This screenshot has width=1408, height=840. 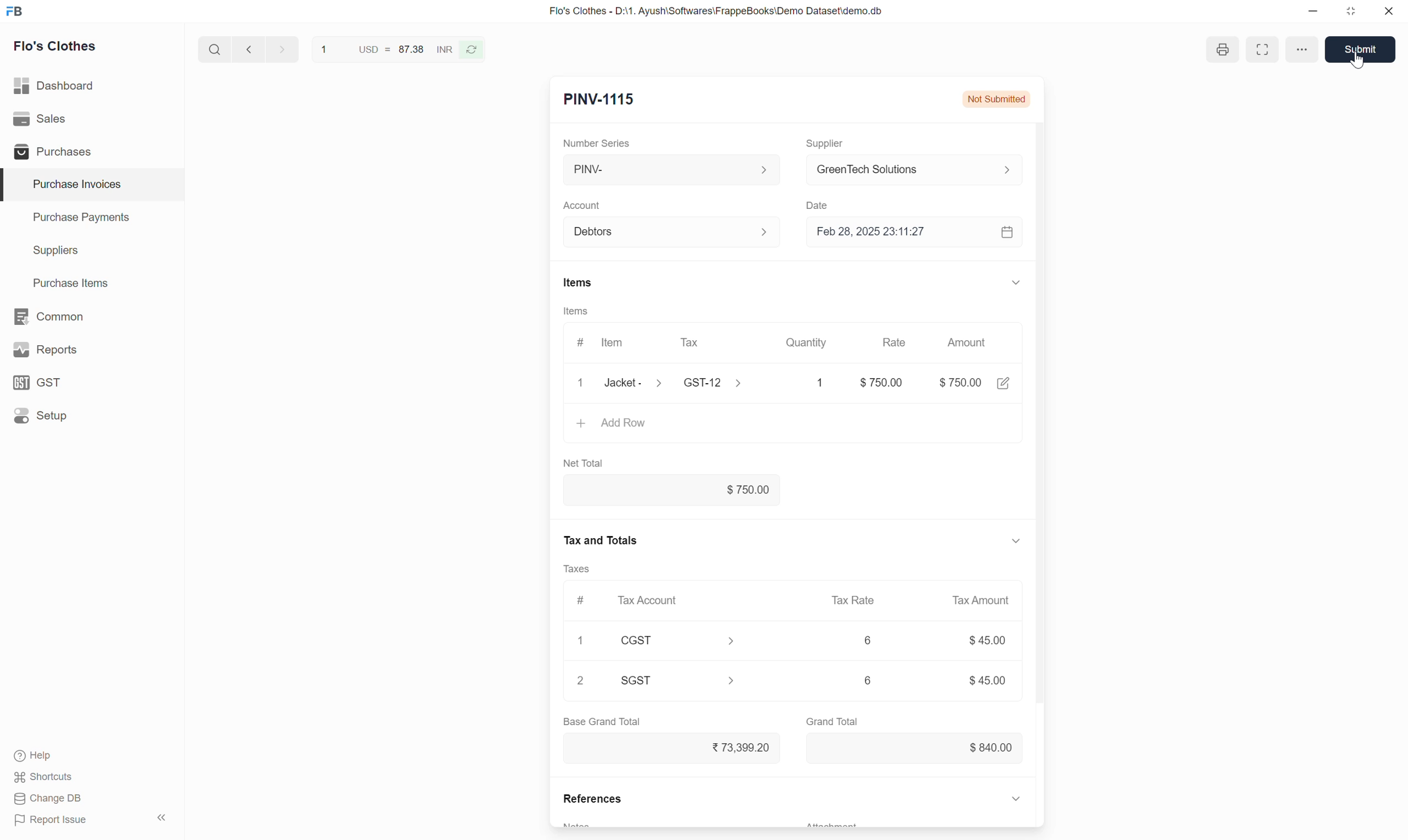 What do you see at coordinates (1004, 383) in the screenshot?
I see `Edit` at bounding box center [1004, 383].